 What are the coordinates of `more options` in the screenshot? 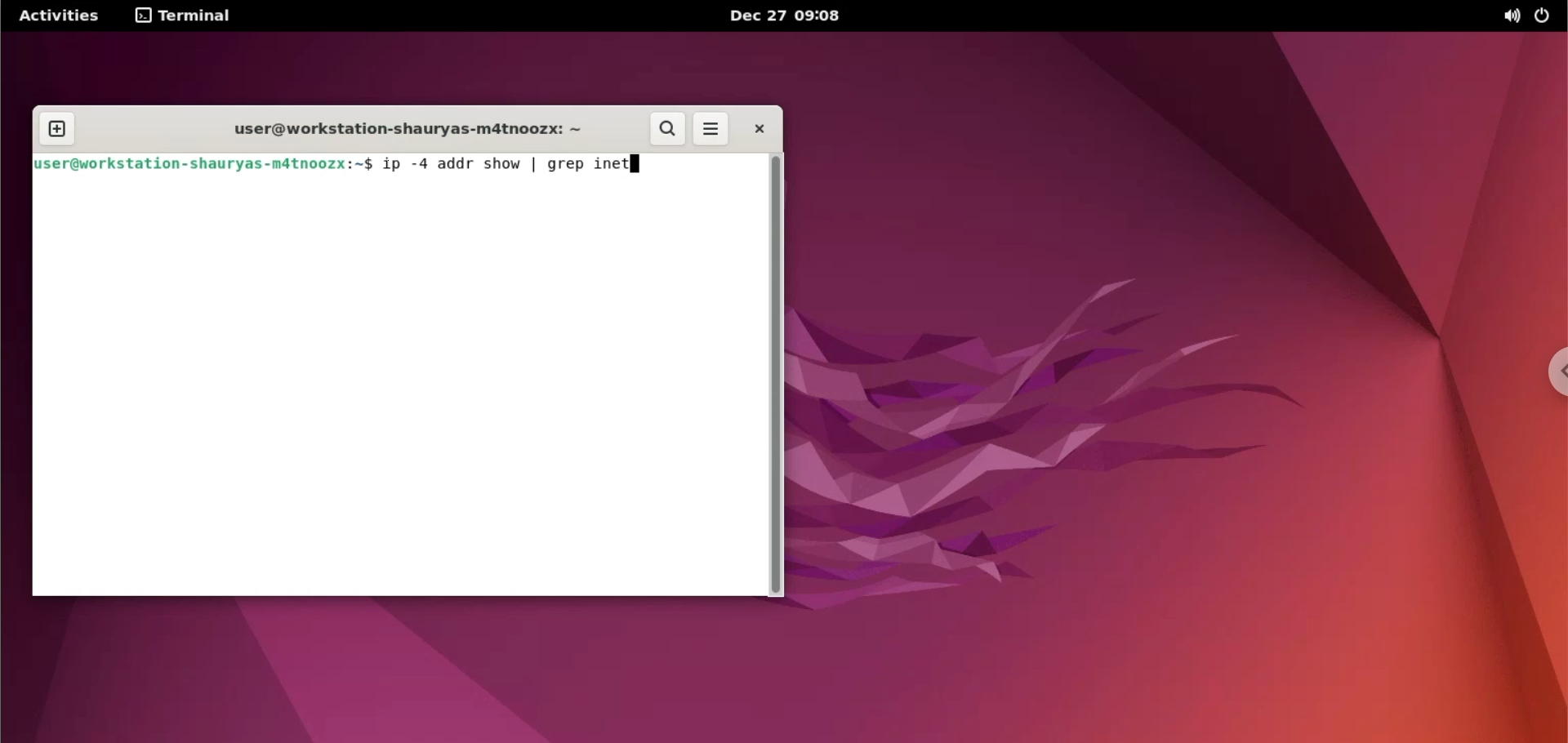 It's located at (711, 131).